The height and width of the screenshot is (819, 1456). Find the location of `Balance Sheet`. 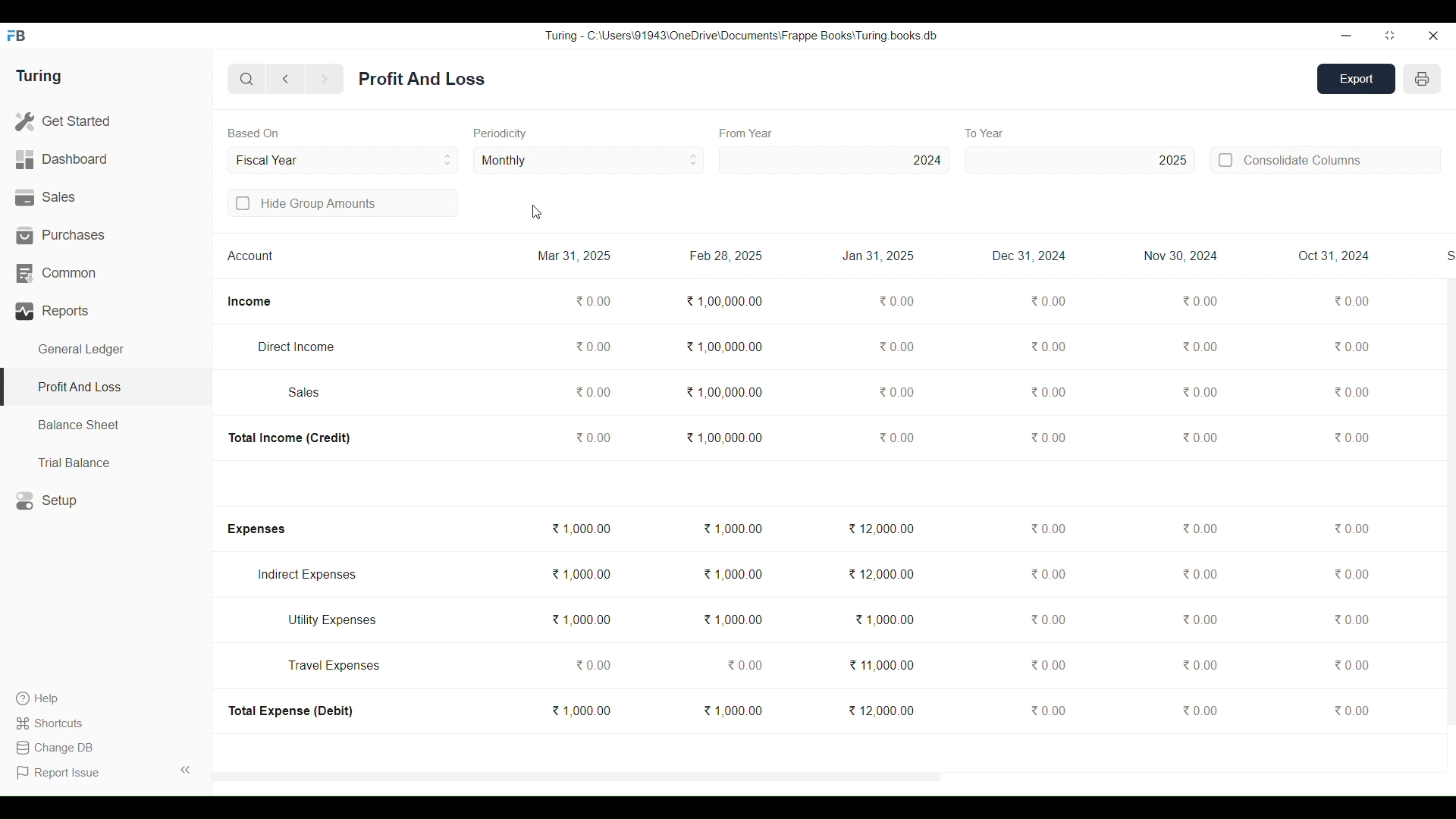

Balance Sheet is located at coordinates (106, 425).